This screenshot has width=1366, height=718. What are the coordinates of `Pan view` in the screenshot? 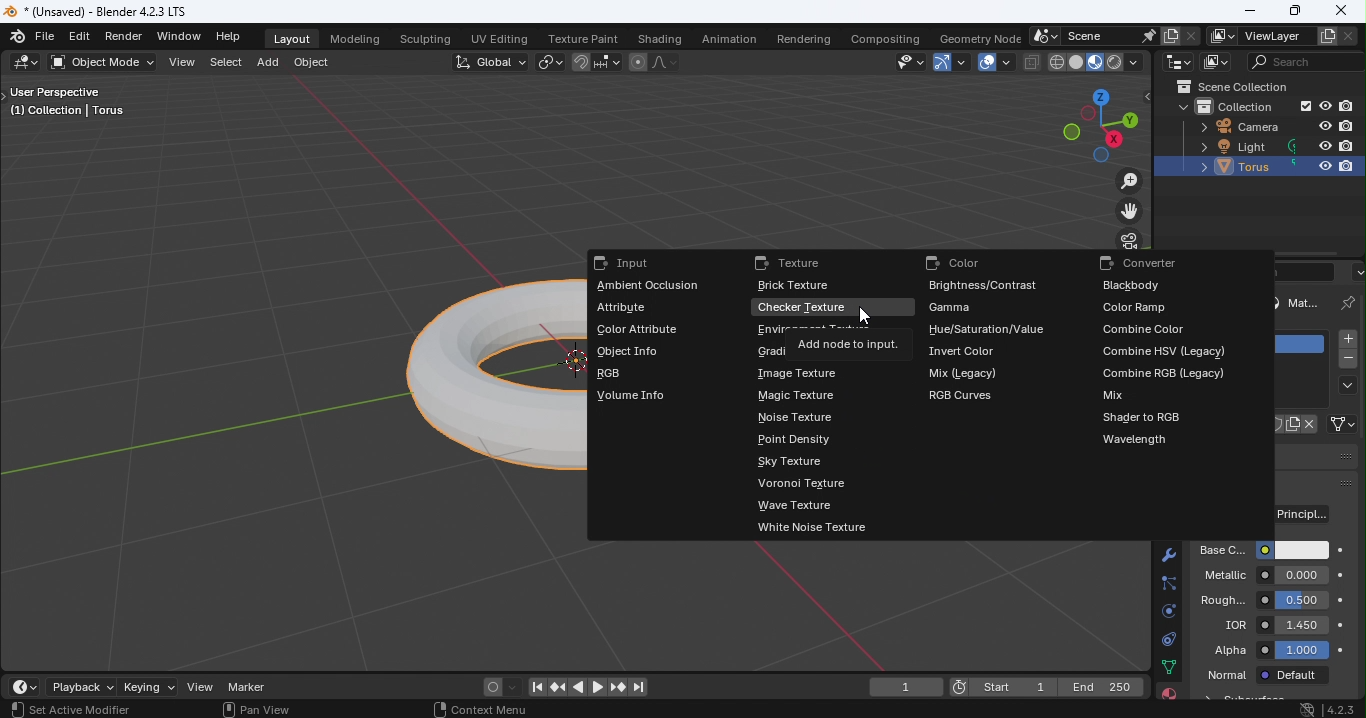 It's located at (255, 710).